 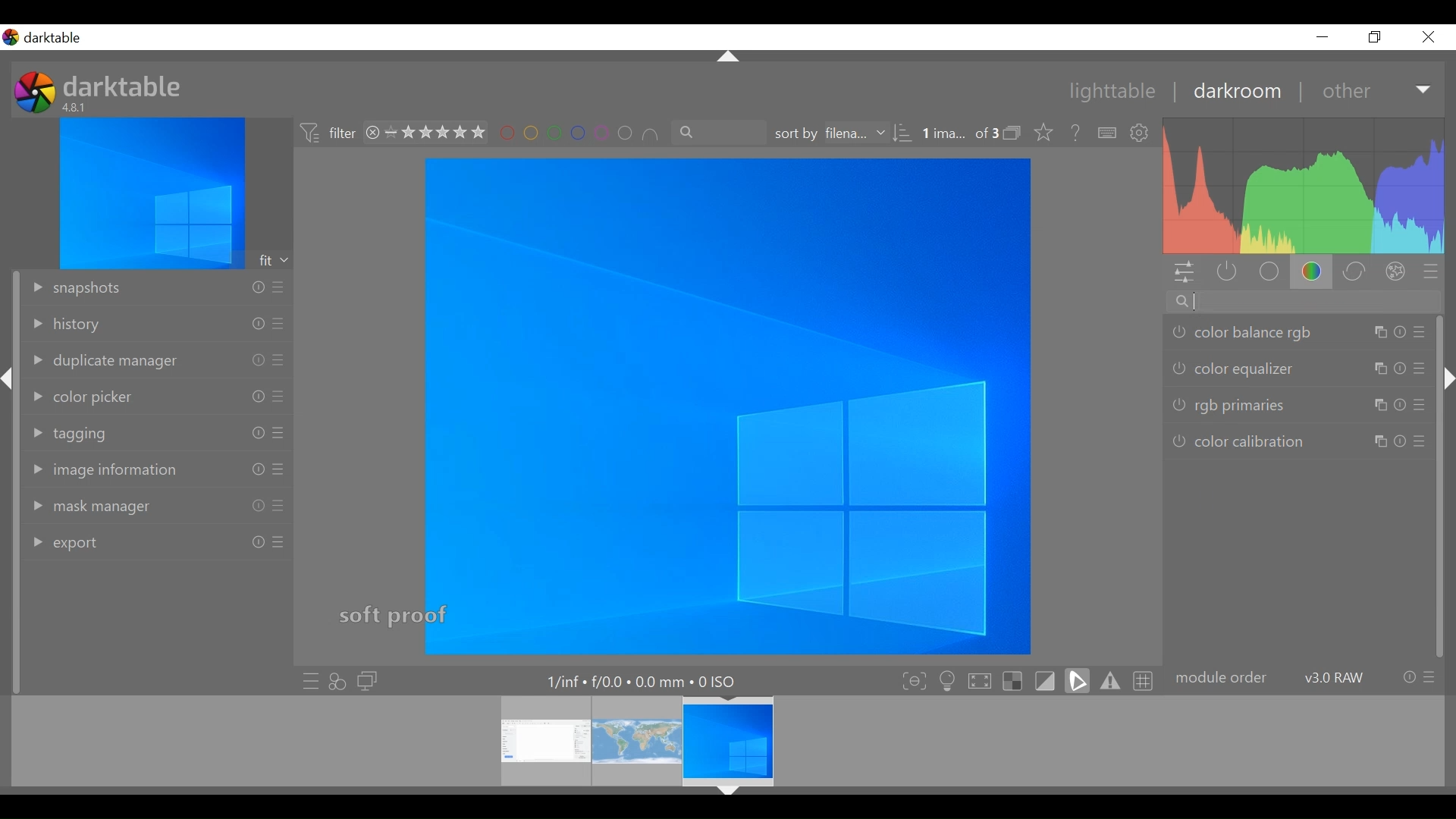 I want to click on presets, so click(x=1421, y=331).